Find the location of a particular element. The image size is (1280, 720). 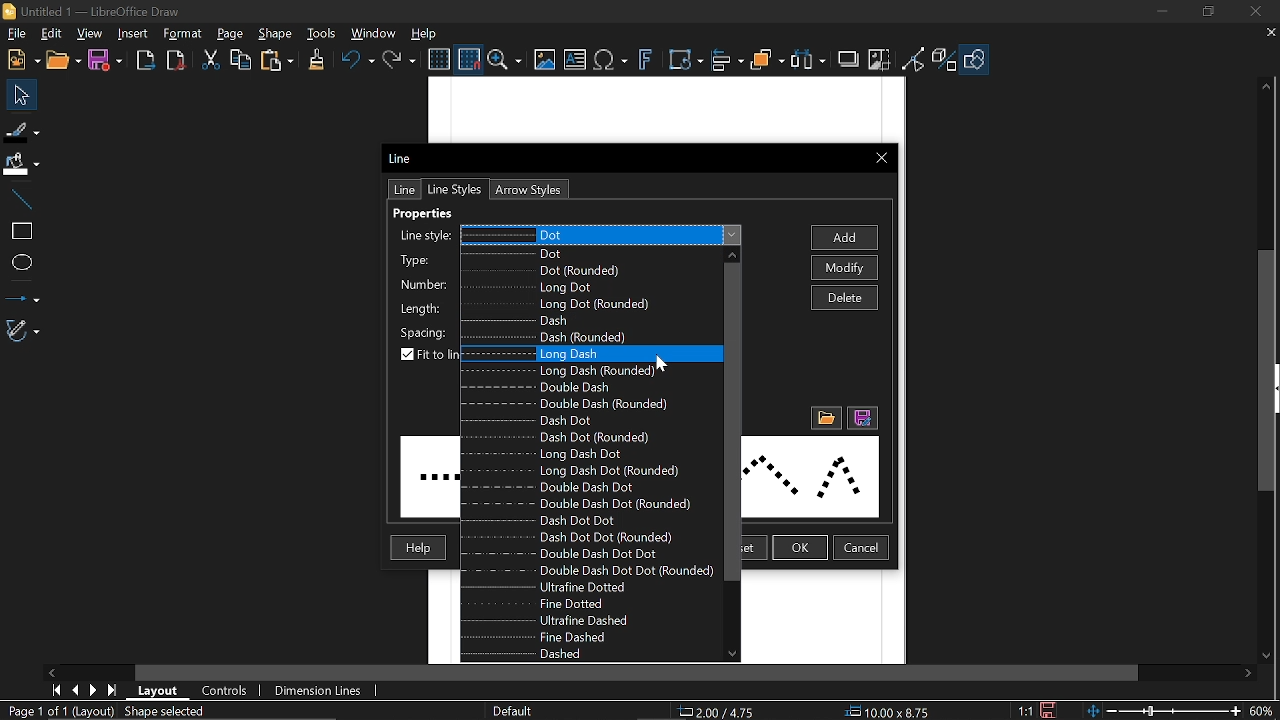

Line is located at coordinates (21, 201).